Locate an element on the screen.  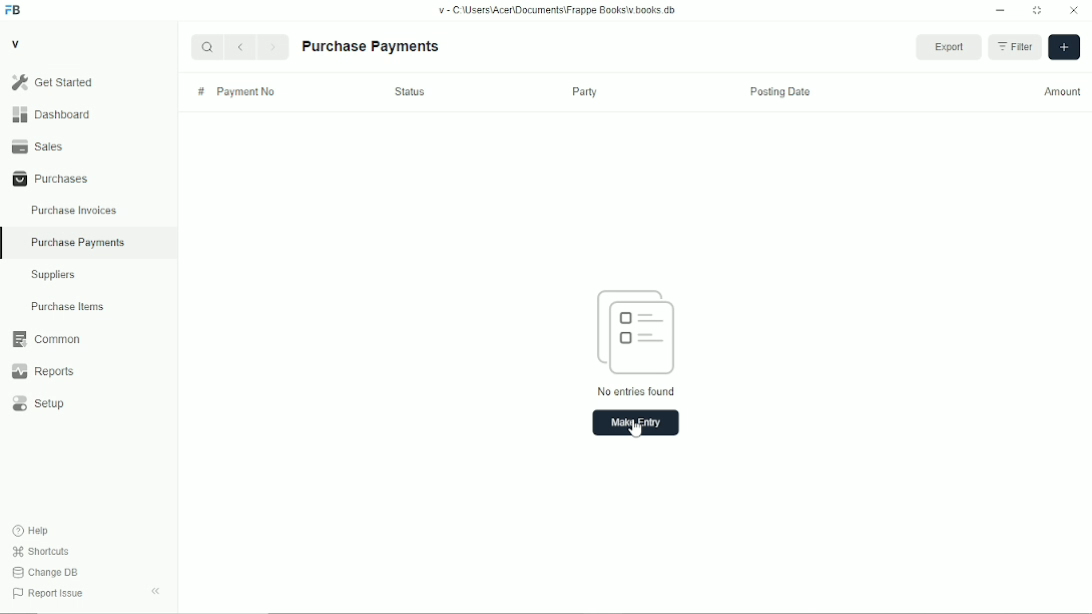
Frappe Books logo is located at coordinates (12, 10).